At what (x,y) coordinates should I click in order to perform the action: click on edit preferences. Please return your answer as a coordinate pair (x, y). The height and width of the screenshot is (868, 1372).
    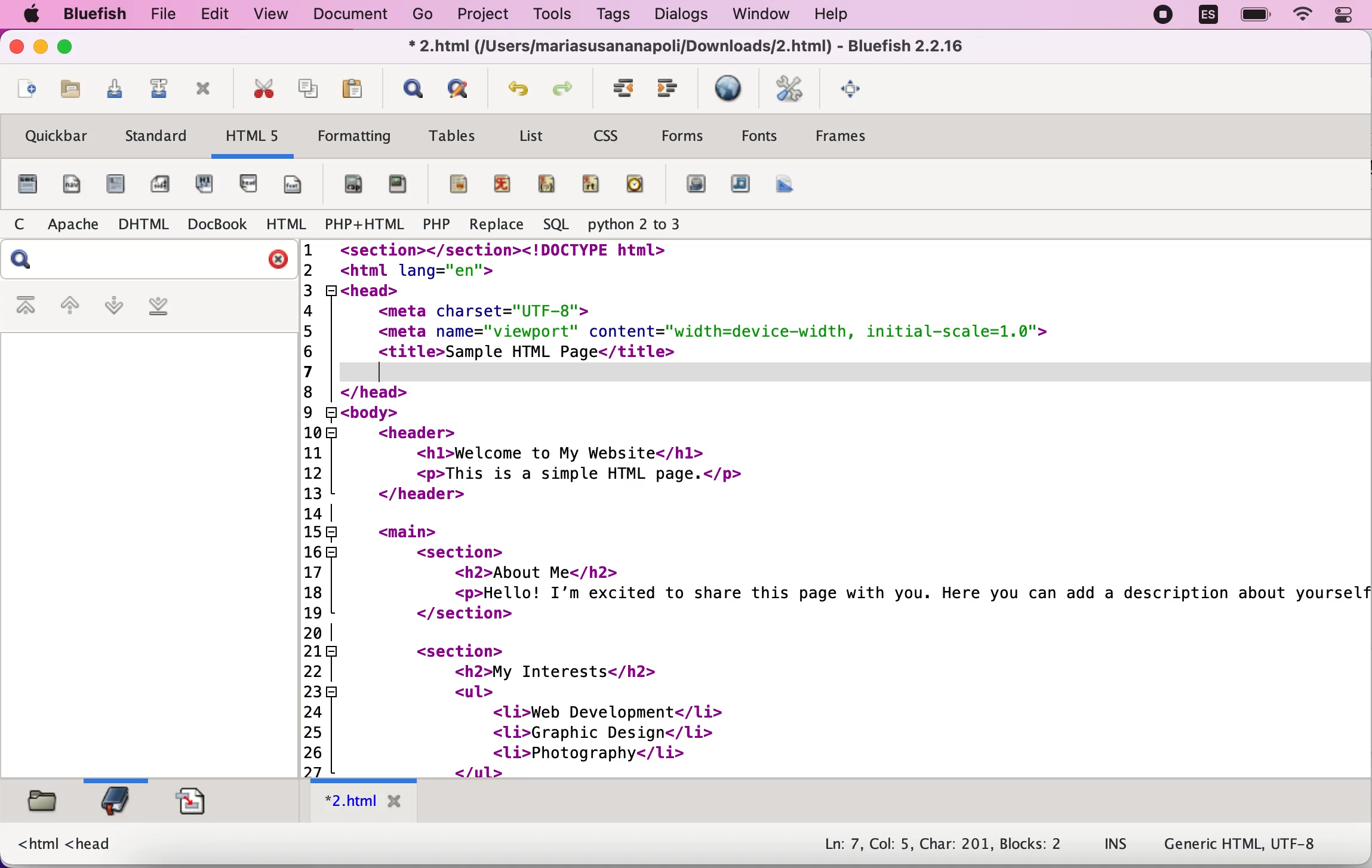
    Looking at the image, I should click on (790, 89).